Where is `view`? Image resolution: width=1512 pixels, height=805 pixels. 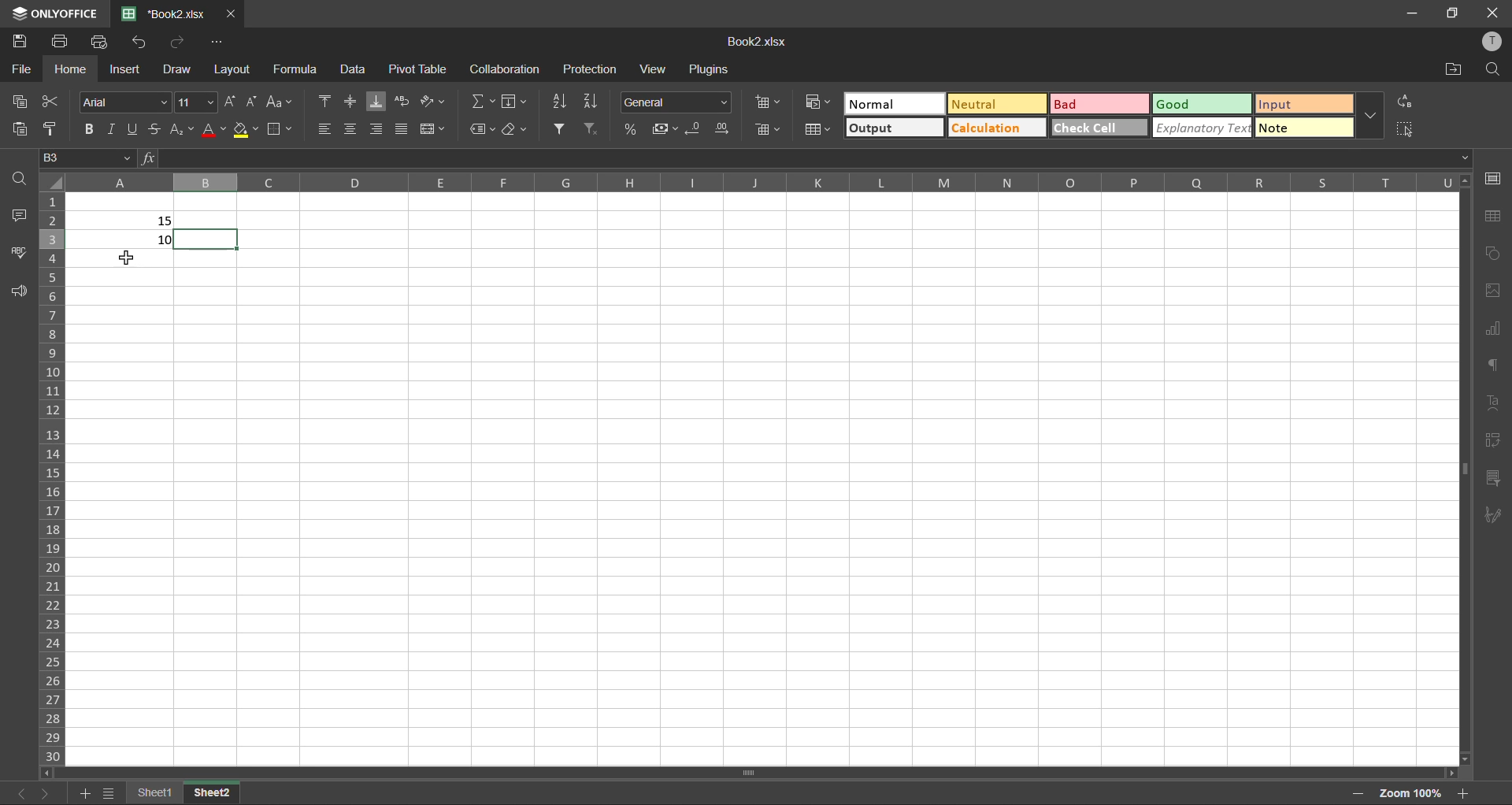 view is located at coordinates (651, 71).